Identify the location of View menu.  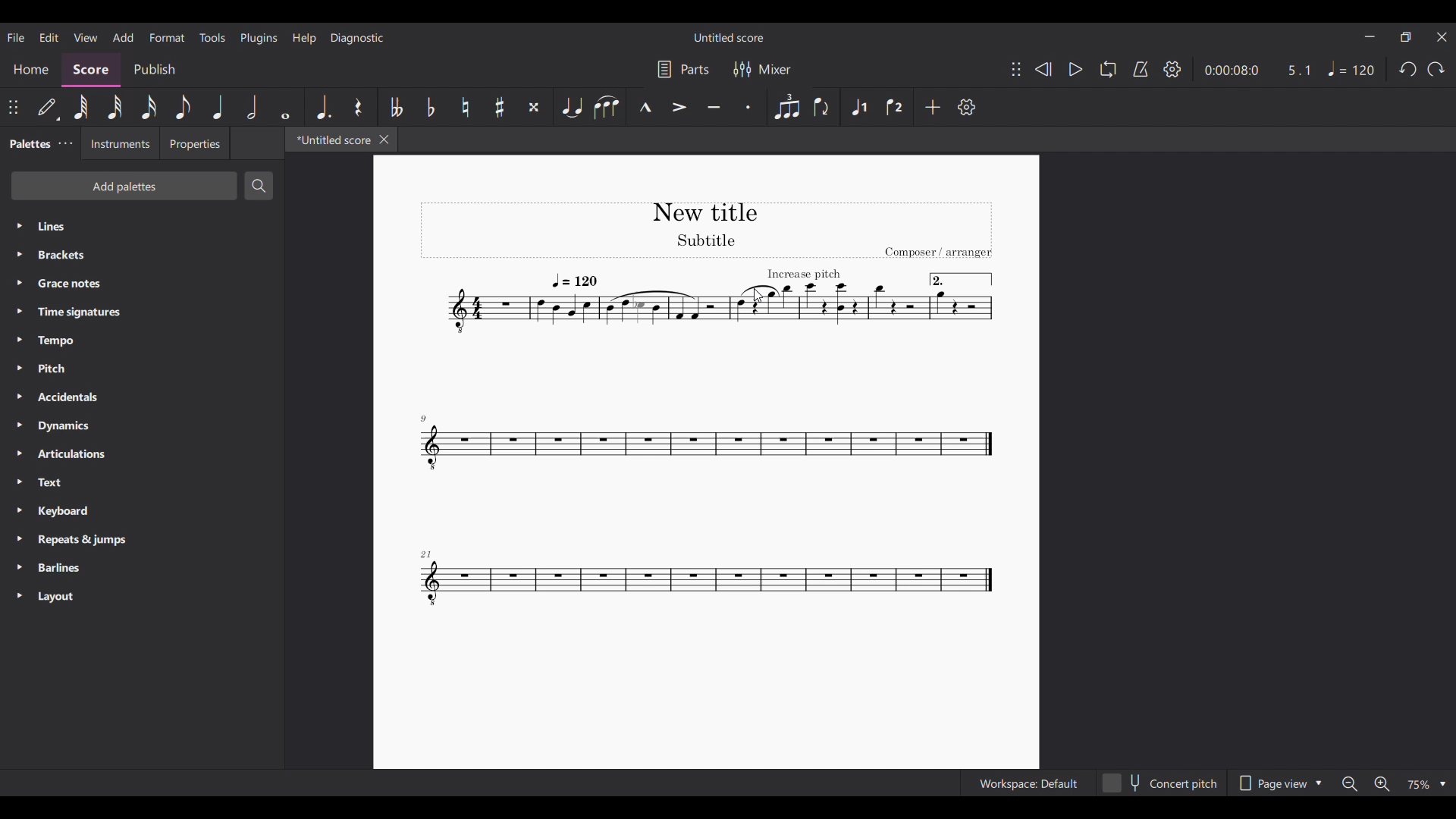
(86, 37).